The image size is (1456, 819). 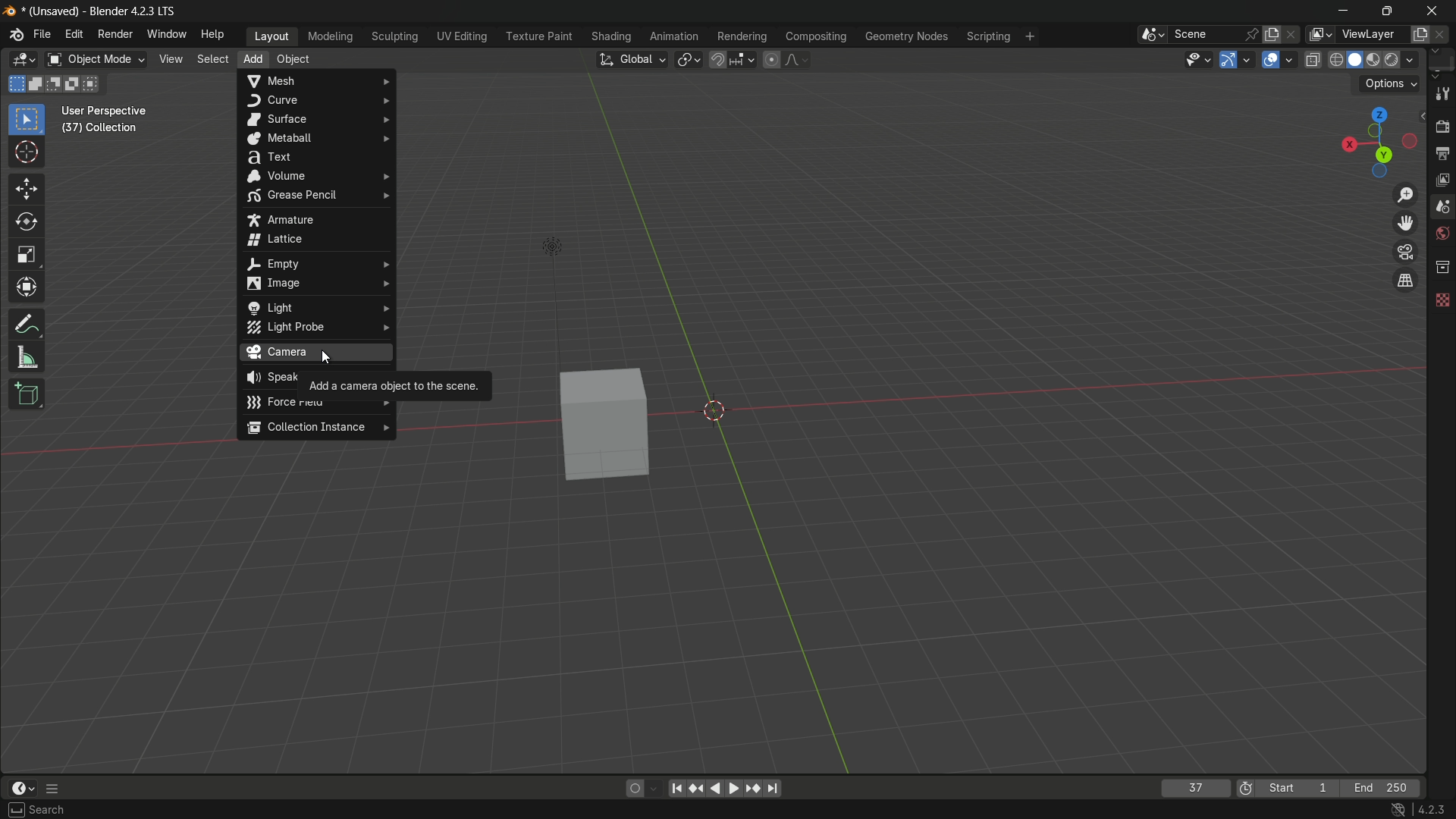 I want to click on shading menu, so click(x=611, y=37).